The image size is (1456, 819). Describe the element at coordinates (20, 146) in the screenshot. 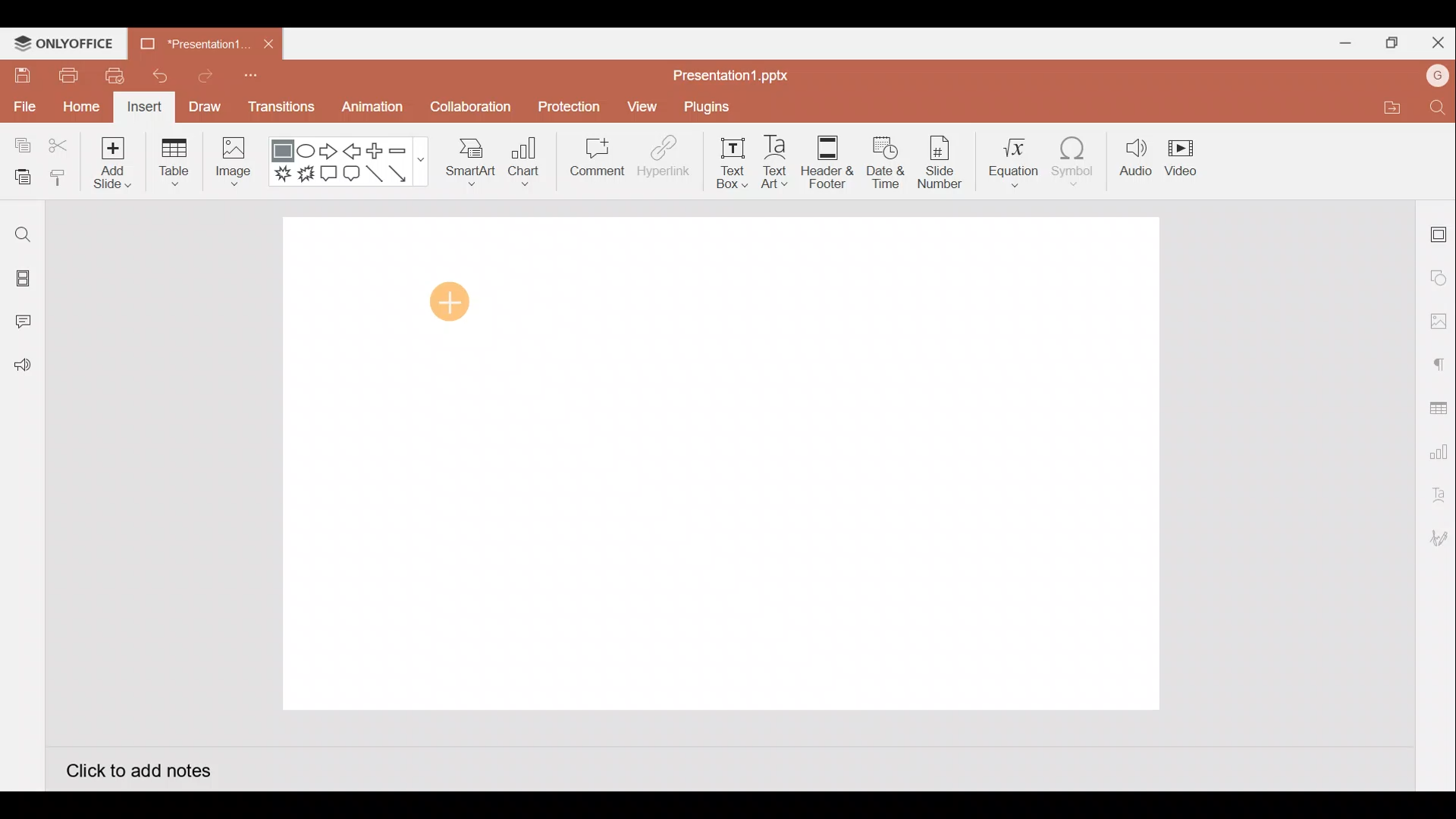

I see `Copy` at that location.